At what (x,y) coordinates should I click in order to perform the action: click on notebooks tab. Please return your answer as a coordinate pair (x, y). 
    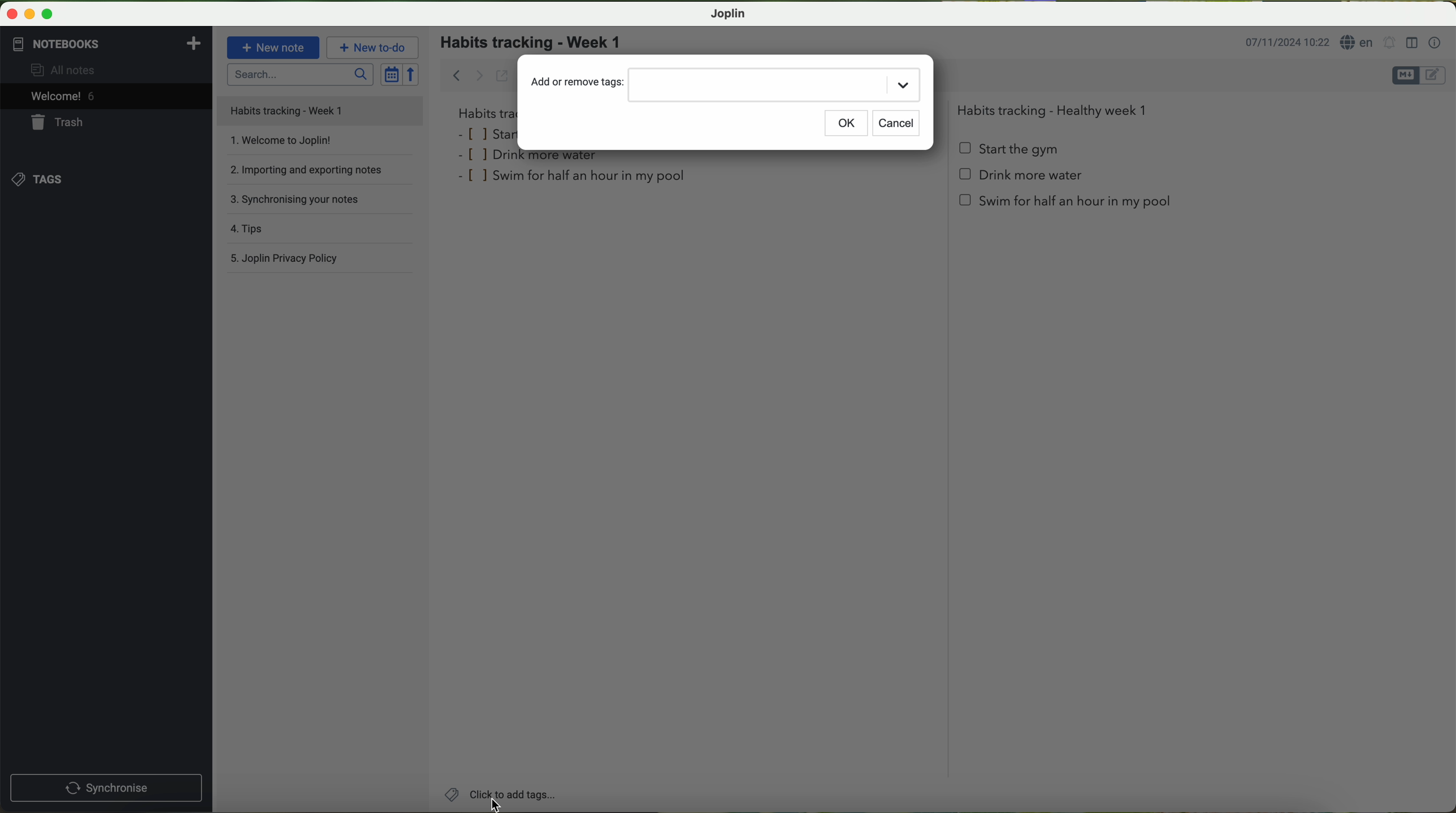
    Looking at the image, I should click on (108, 44).